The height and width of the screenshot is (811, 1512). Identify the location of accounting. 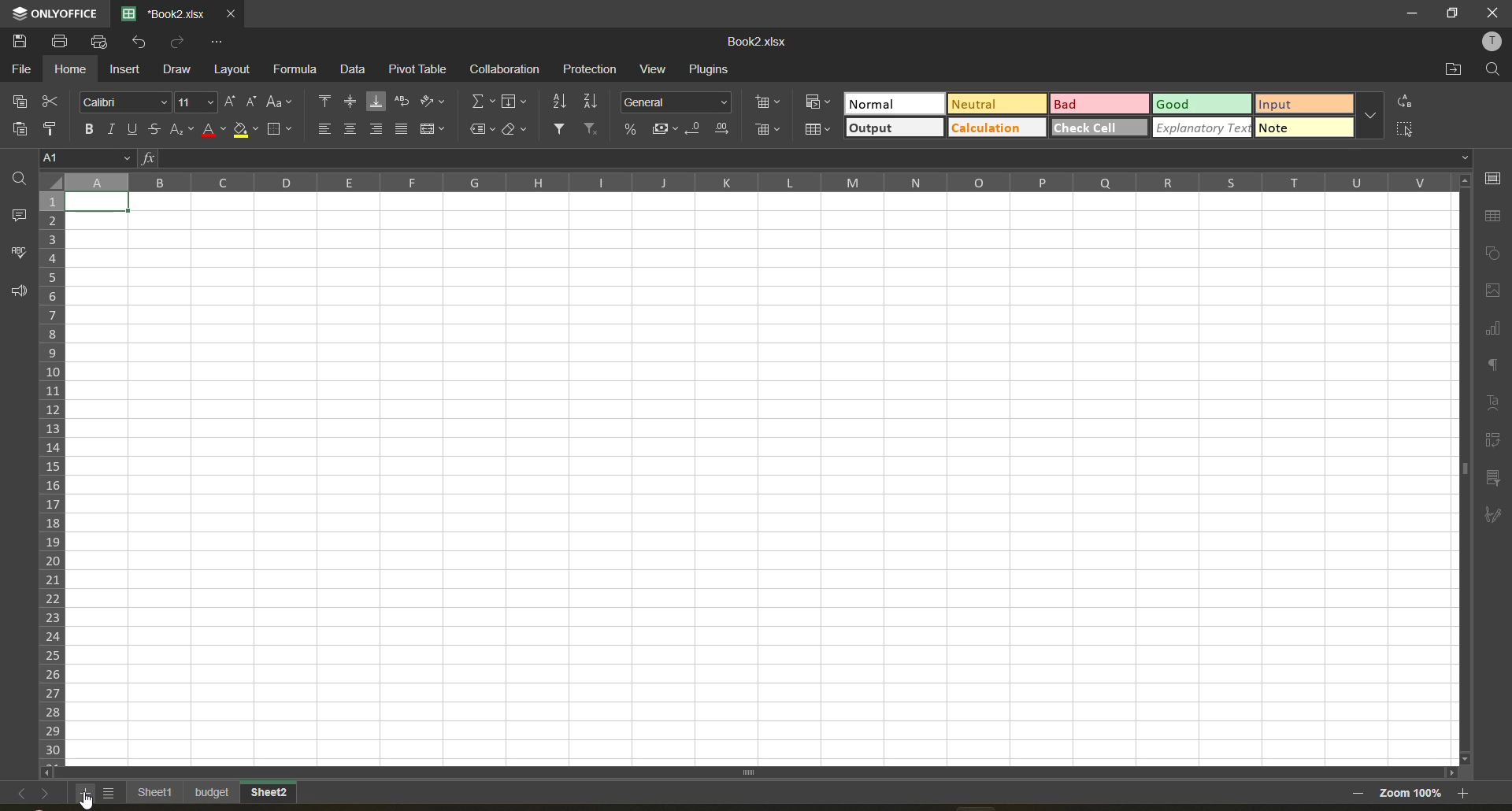
(665, 128).